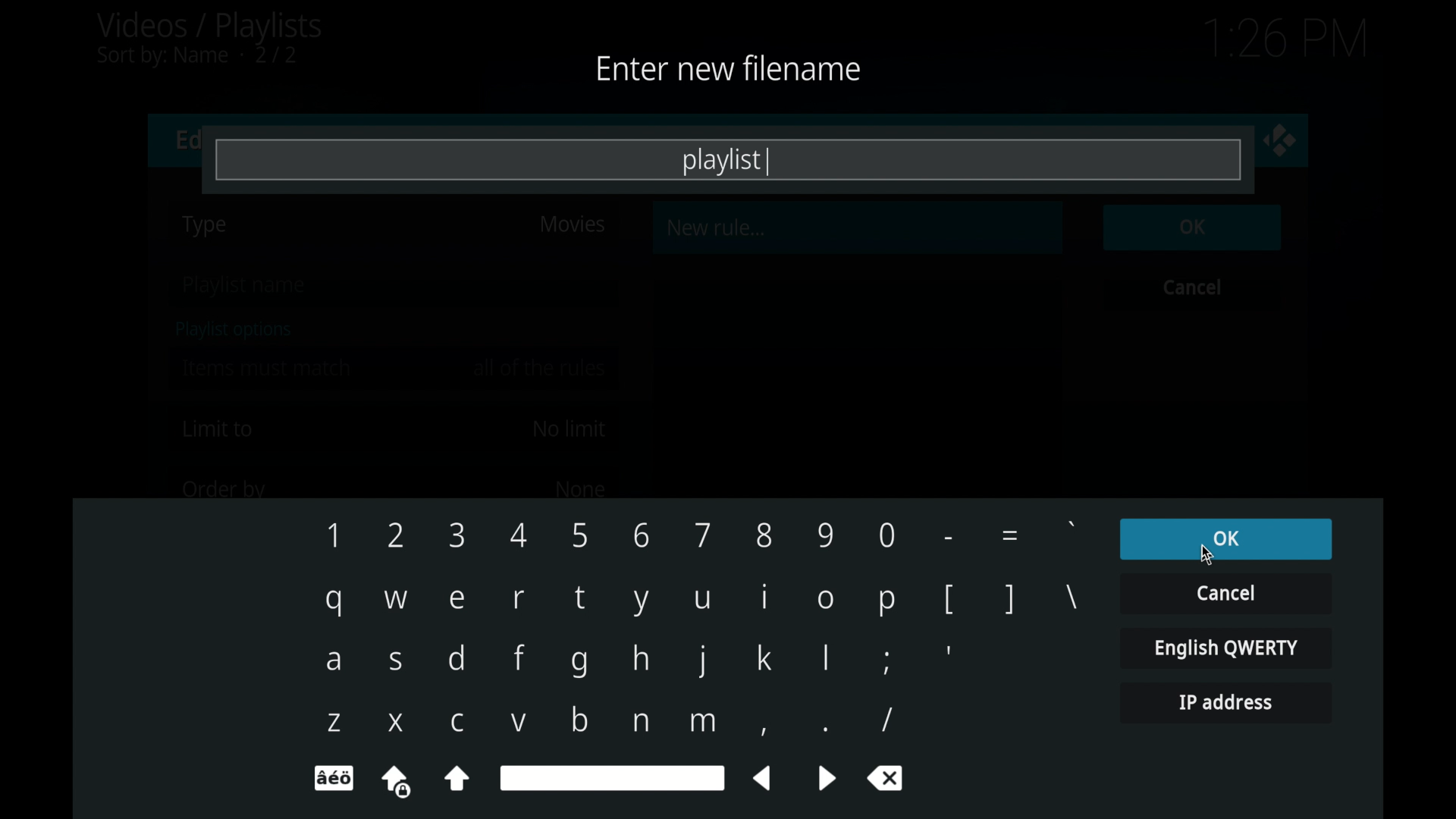  I want to click on type, so click(206, 226).